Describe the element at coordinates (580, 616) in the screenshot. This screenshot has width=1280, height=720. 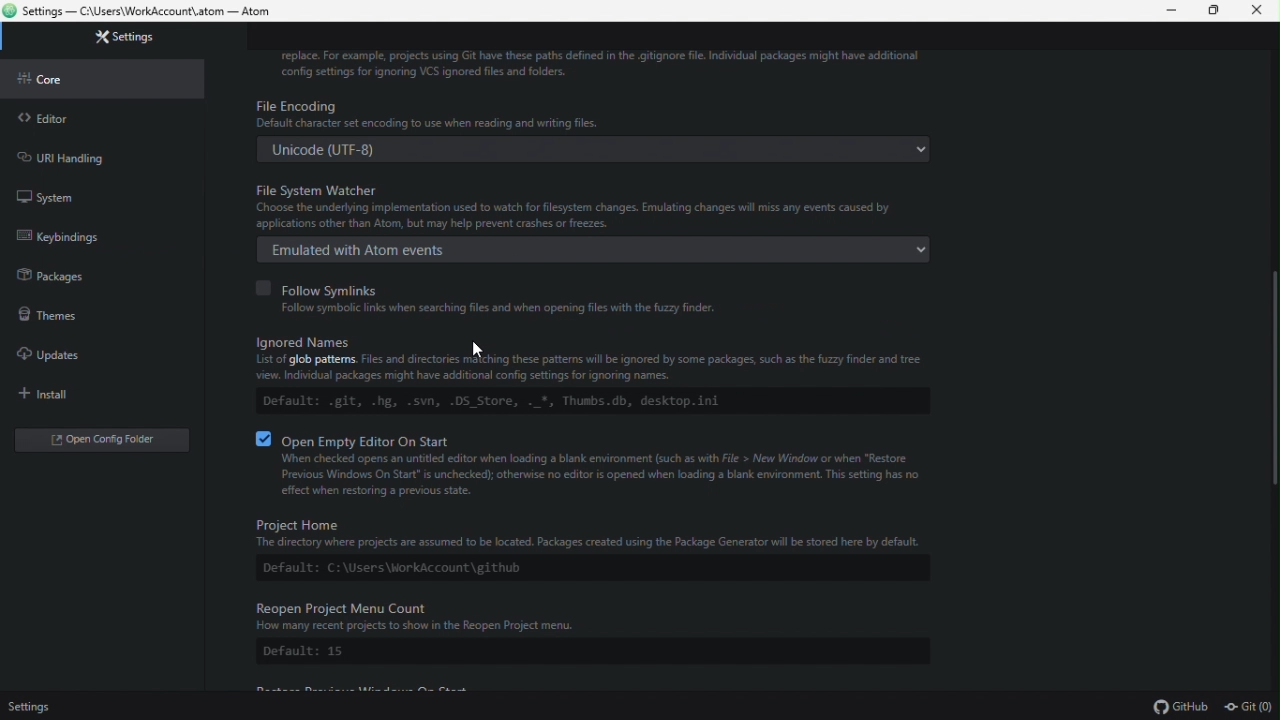
I see `Reopen Project Menu Count How many recent projects to show in the Reopen Project menu.` at that location.